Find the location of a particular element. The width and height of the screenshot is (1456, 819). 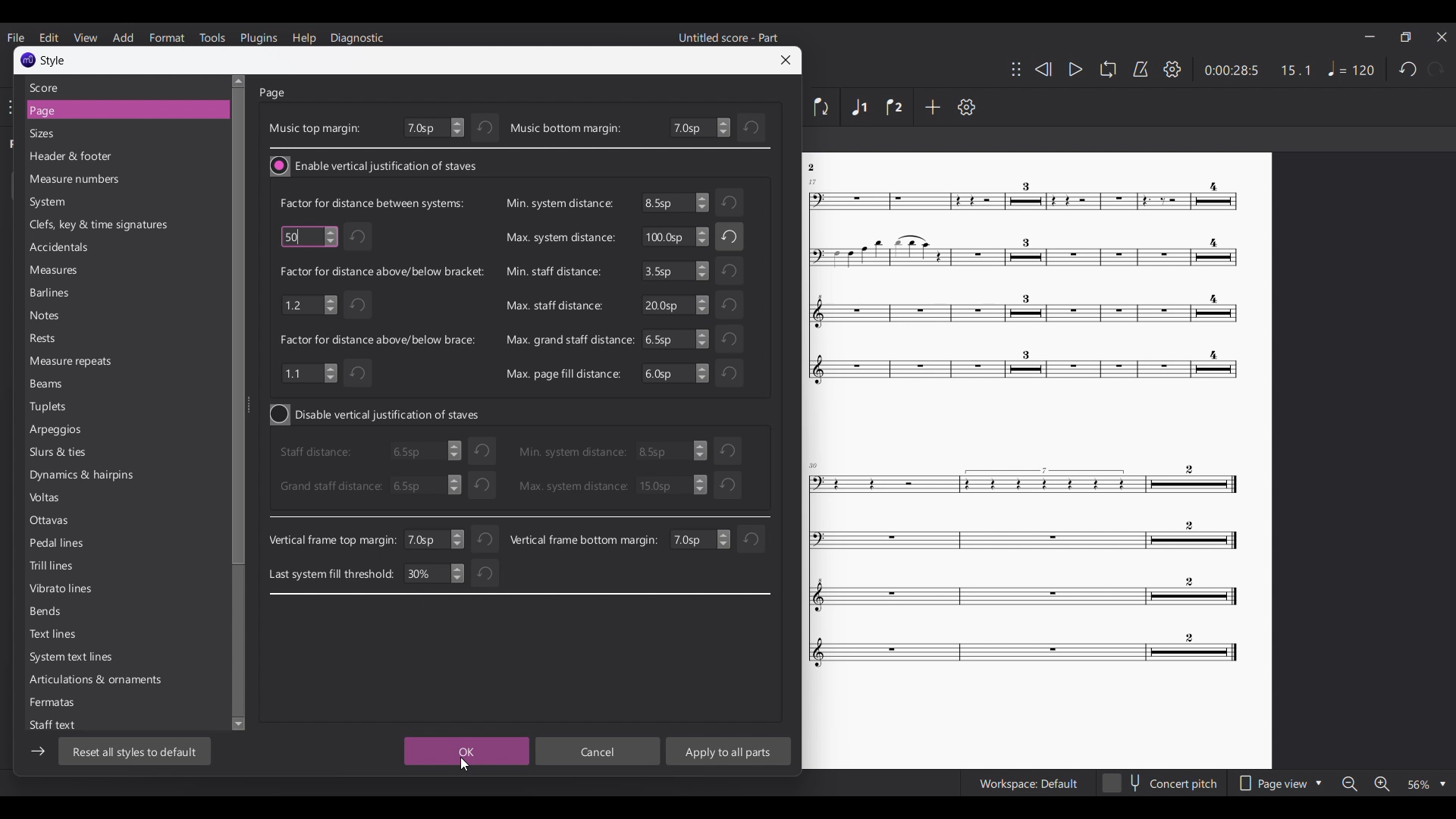

6.5sp is located at coordinates (676, 339).